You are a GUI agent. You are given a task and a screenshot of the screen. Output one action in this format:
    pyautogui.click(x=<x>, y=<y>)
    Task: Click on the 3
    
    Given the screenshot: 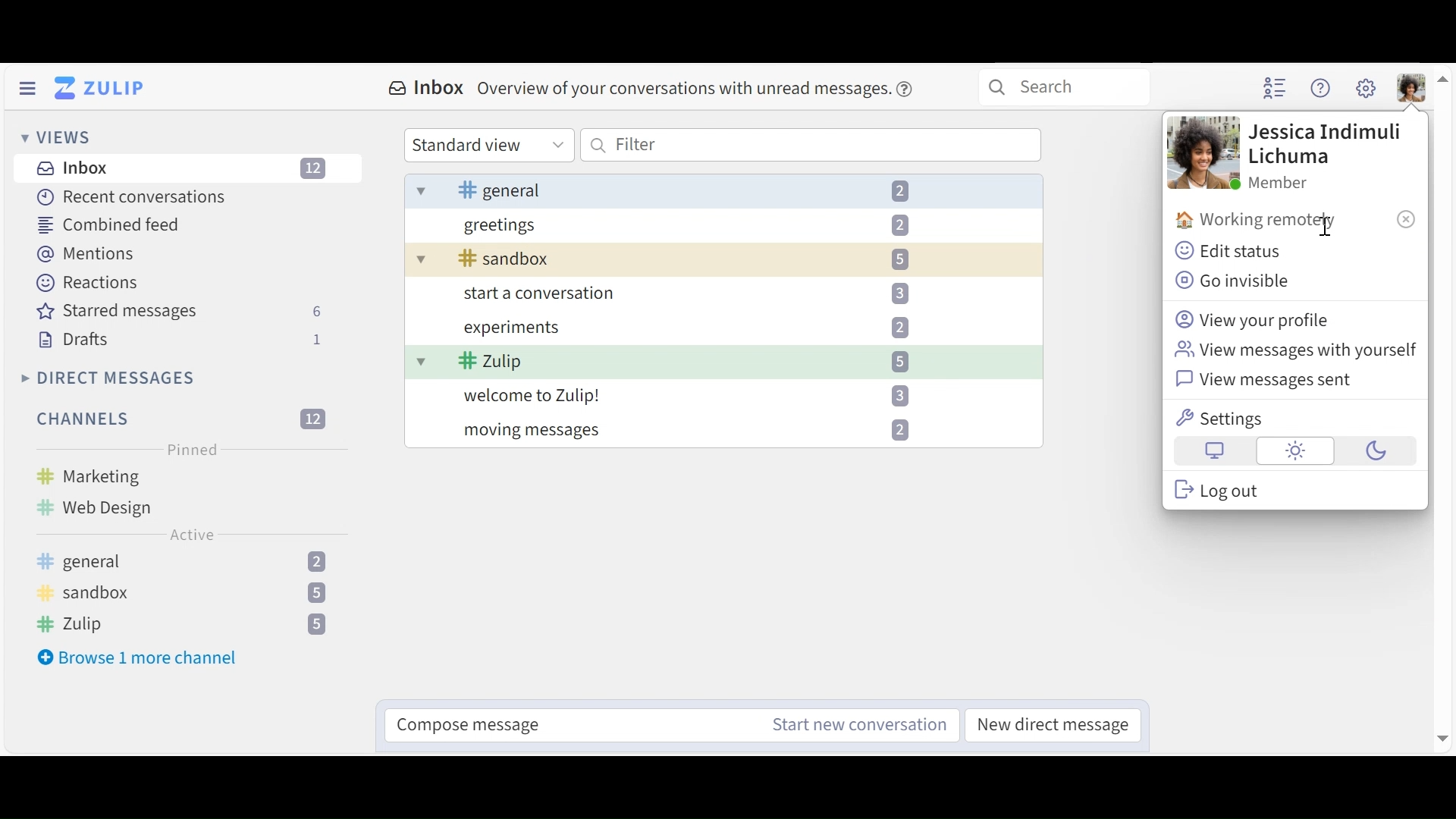 What is the action you would take?
    pyautogui.click(x=895, y=393)
    